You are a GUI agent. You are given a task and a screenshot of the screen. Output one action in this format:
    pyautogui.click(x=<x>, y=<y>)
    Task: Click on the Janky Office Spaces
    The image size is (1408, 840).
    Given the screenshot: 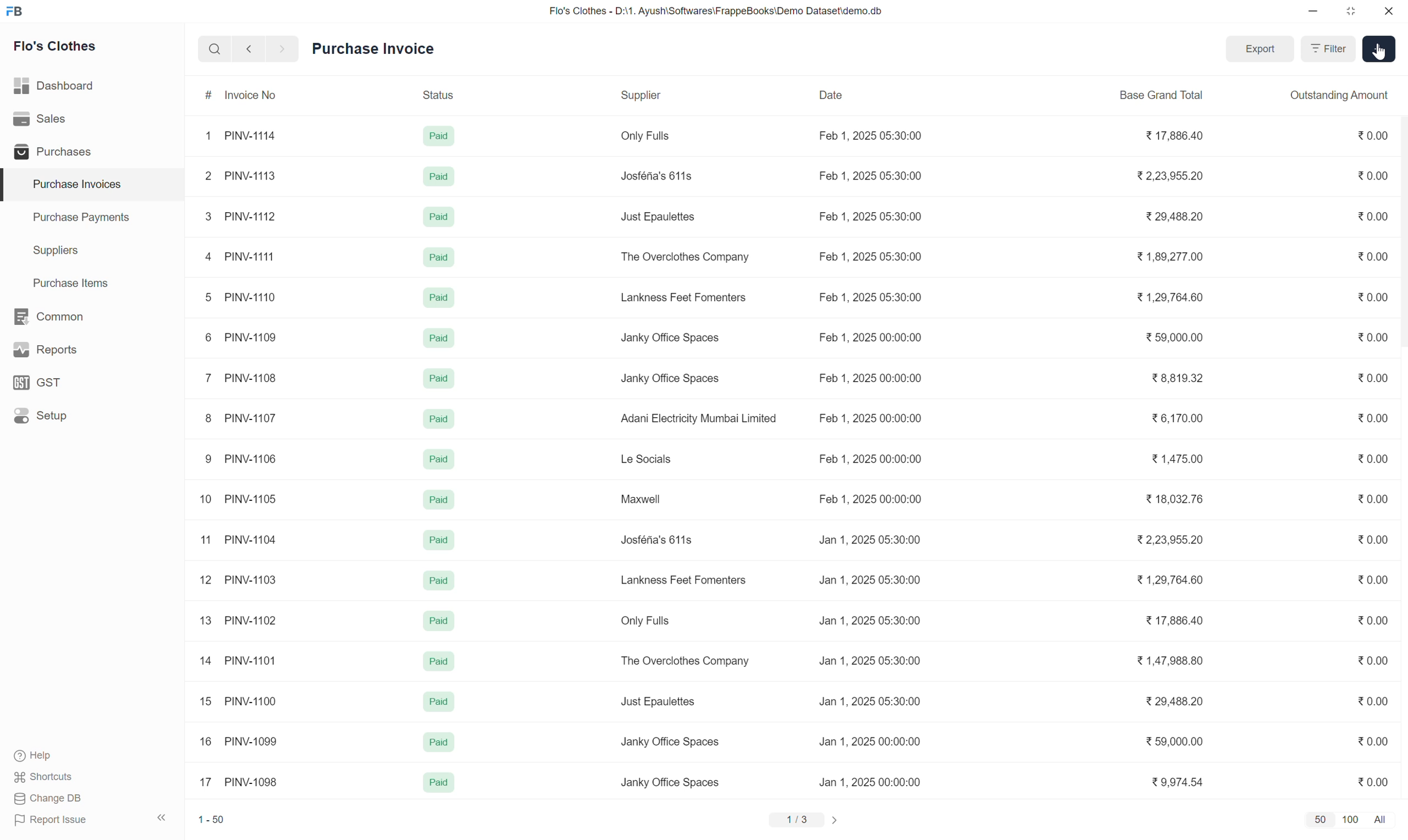 What is the action you would take?
    pyautogui.click(x=669, y=379)
    